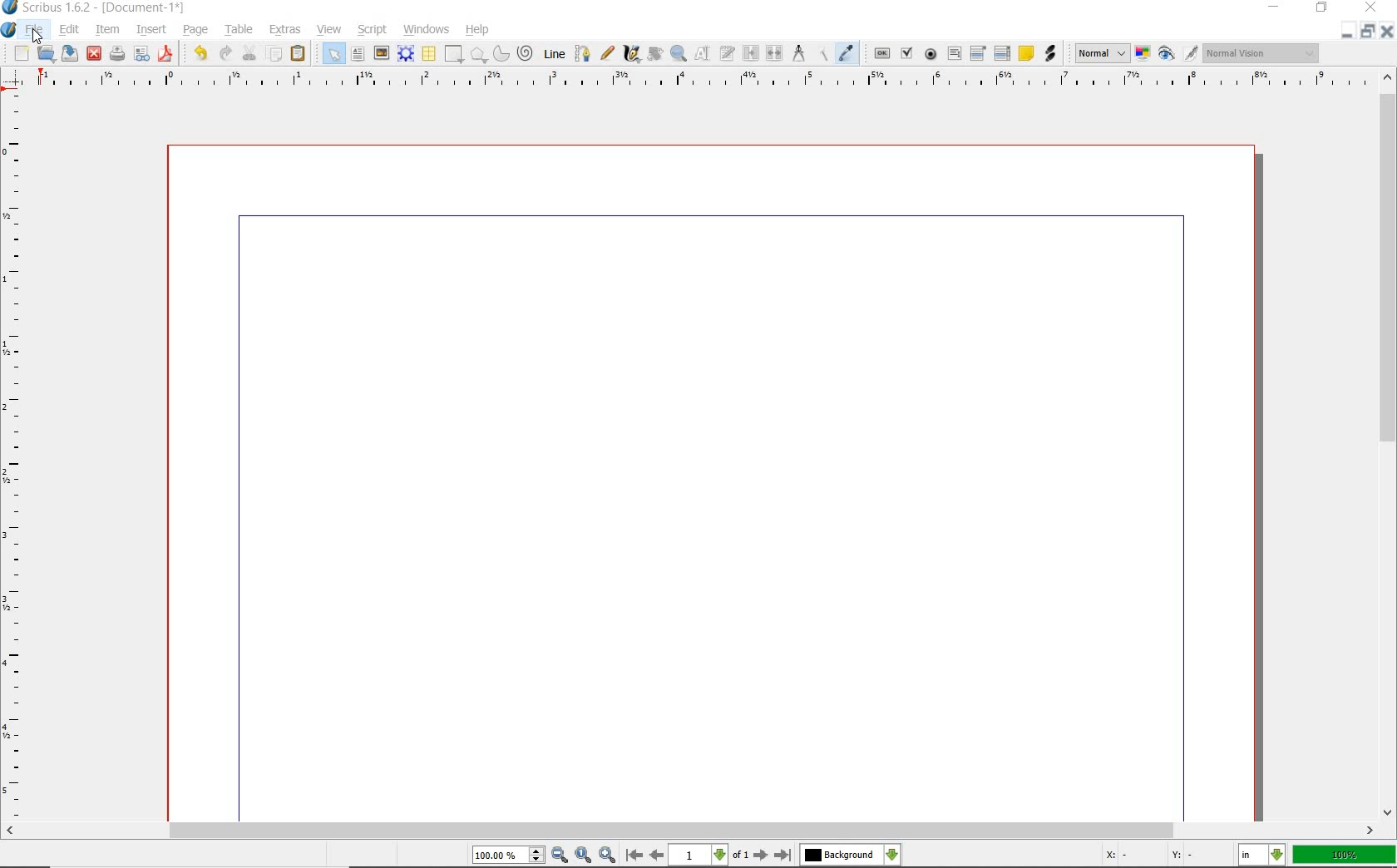 This screenshot has height=868, width=1397. What do you see at coordinates (1369, 31) in the screenshot?
I see `minimize` at bounding box center [1369, 31].